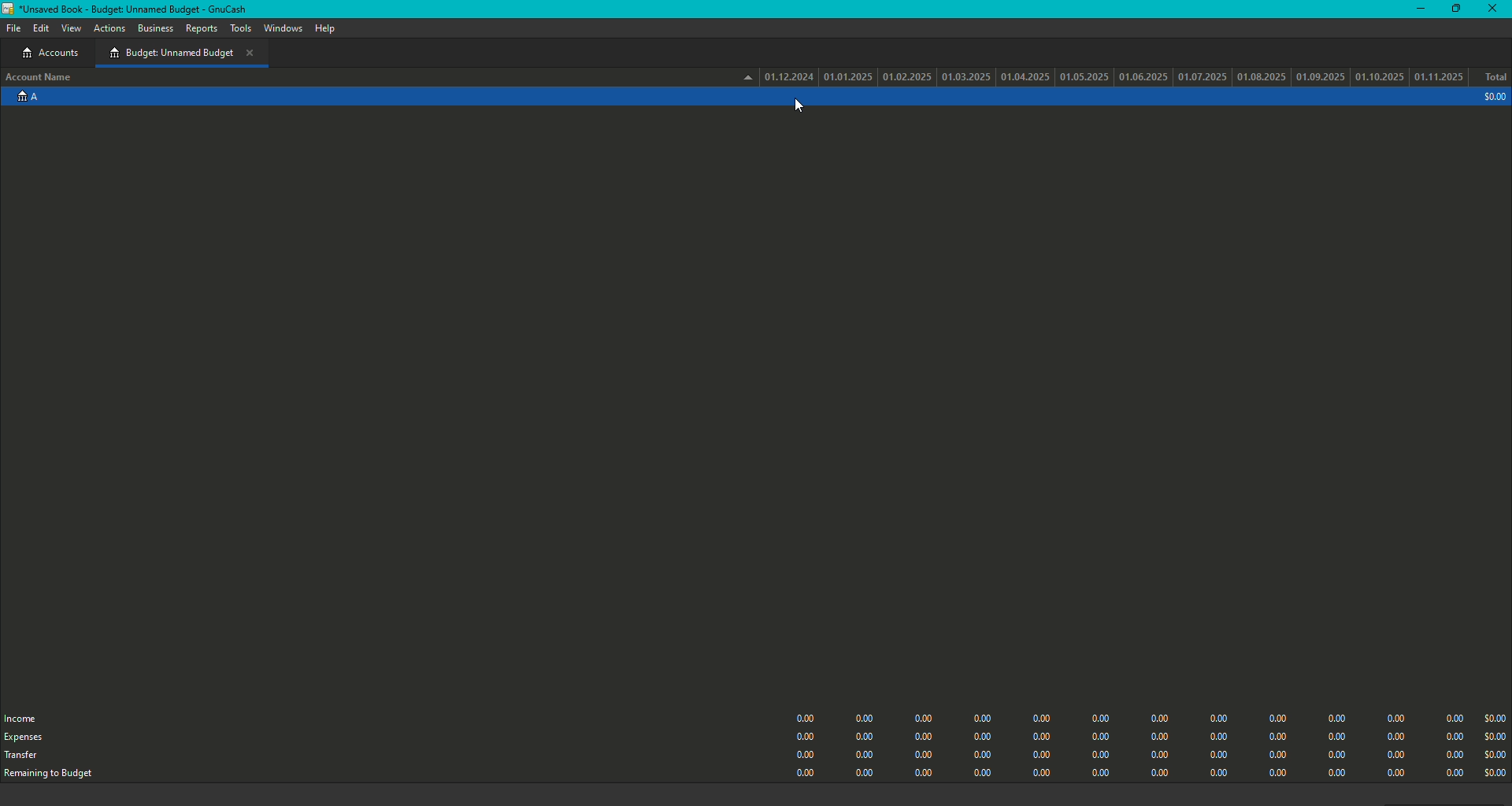  I want to click on Edit, so click(41, 30).